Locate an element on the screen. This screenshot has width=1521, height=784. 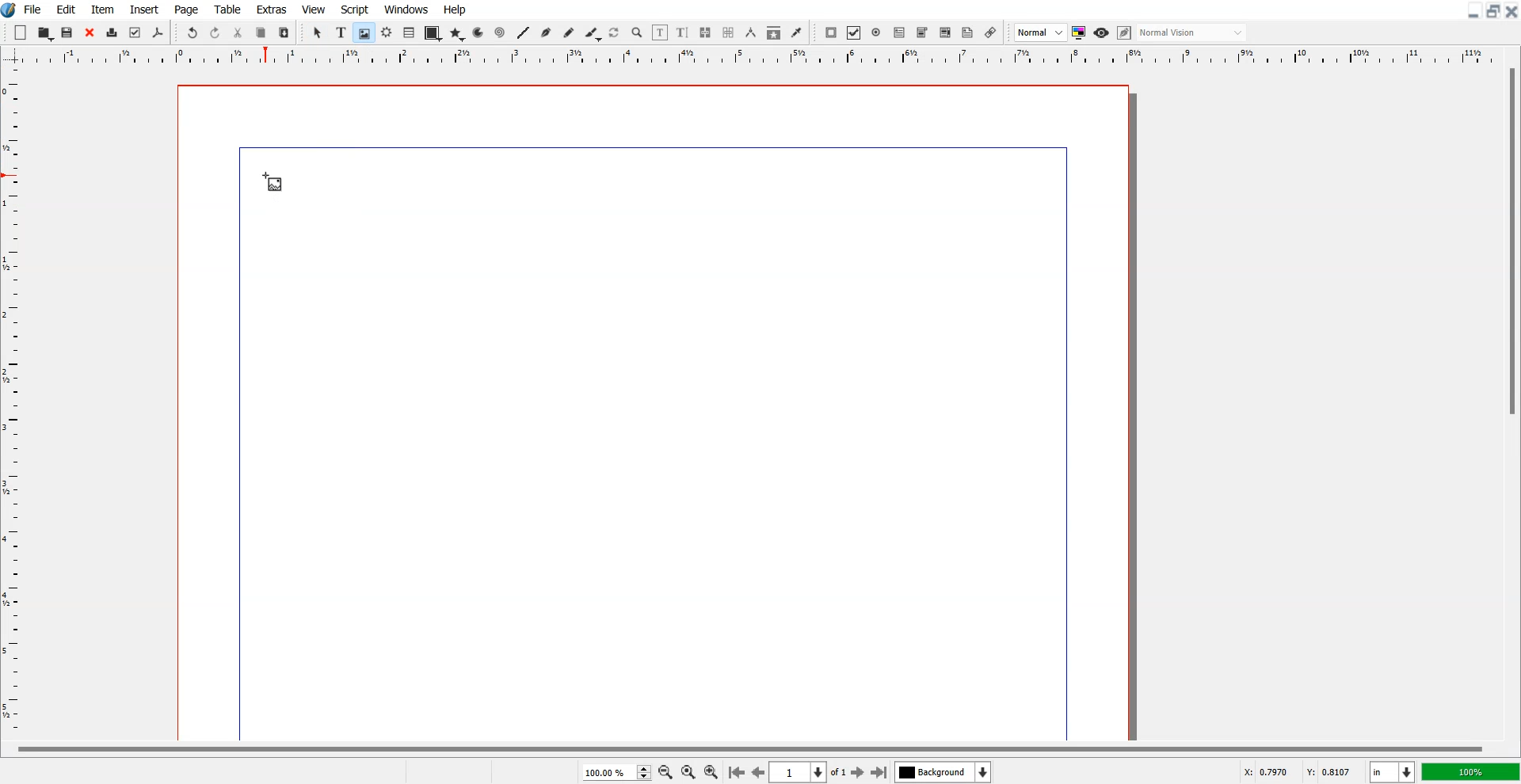
Calligraphic Line is located at coordinates (592, 33).